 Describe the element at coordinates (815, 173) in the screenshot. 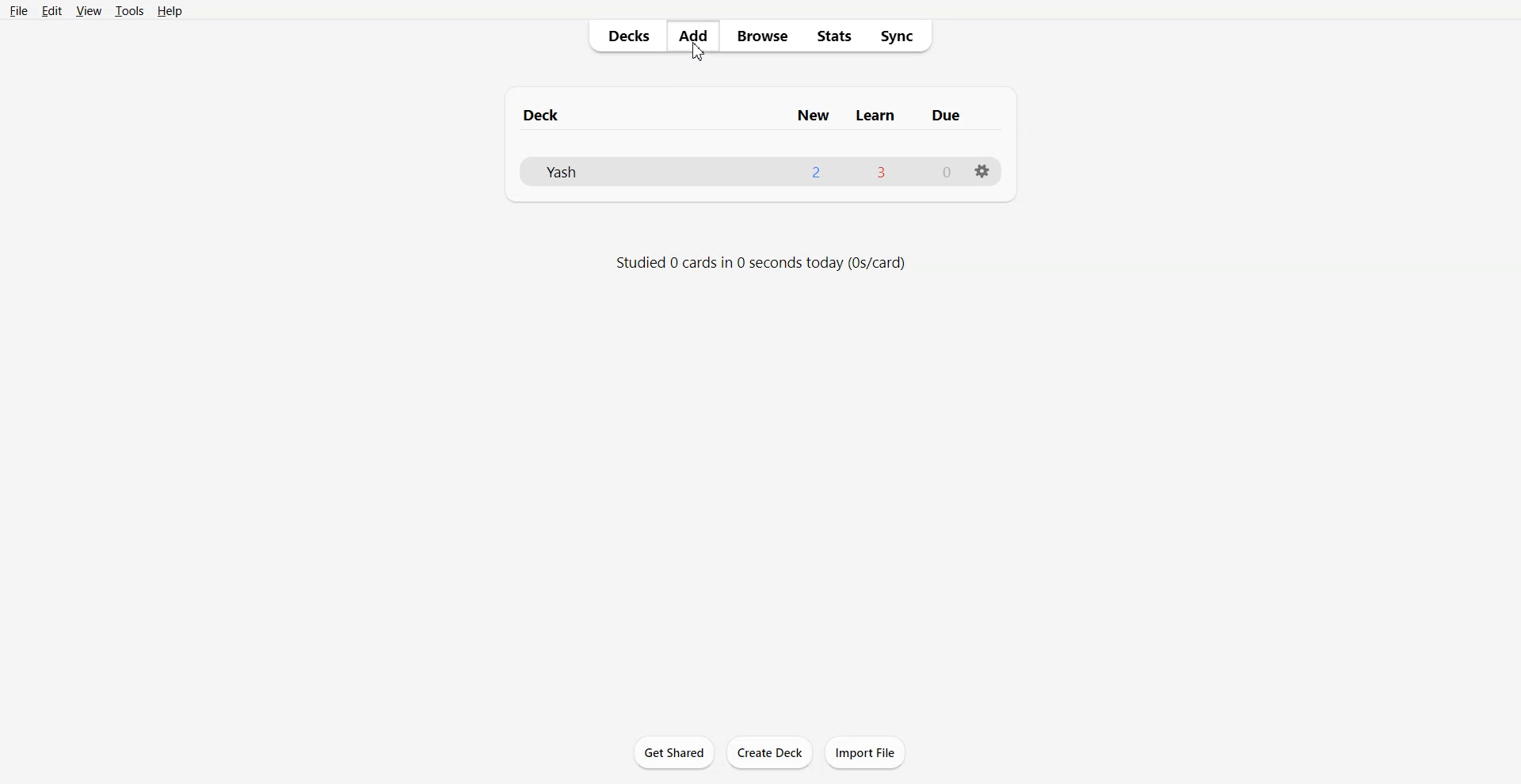

I see `2` at that location.